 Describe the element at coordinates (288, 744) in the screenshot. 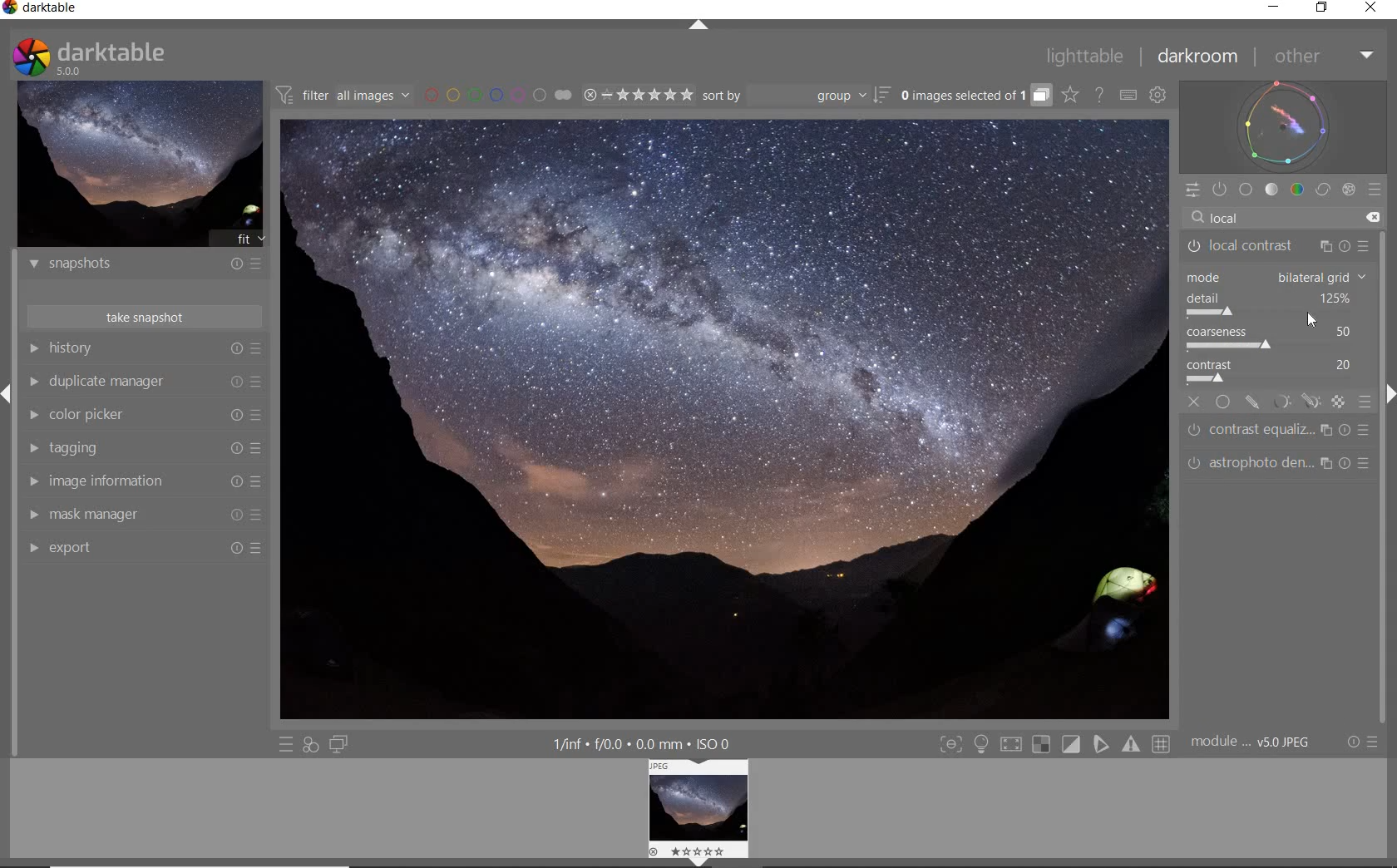

I see `QUICK ACCESS TO PRESET` at that location.